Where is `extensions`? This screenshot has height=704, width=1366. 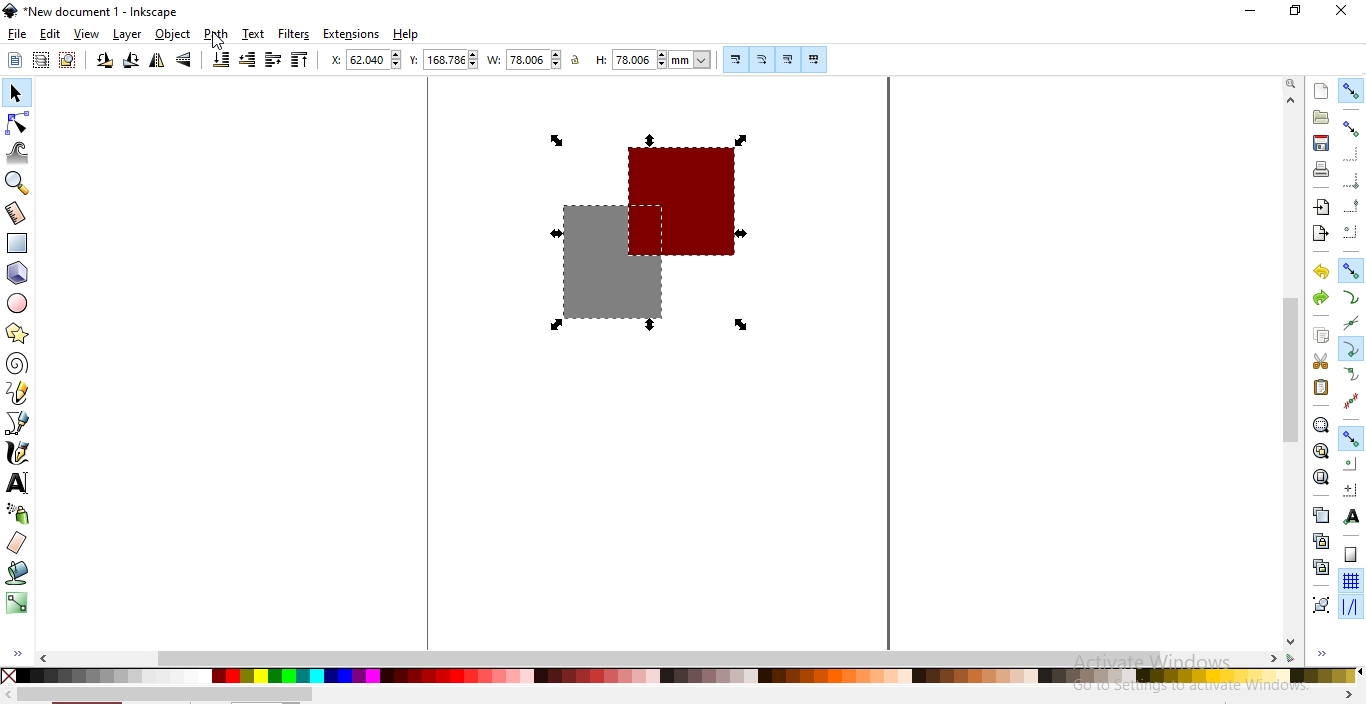
extensions is located at coordinates (353, 34).